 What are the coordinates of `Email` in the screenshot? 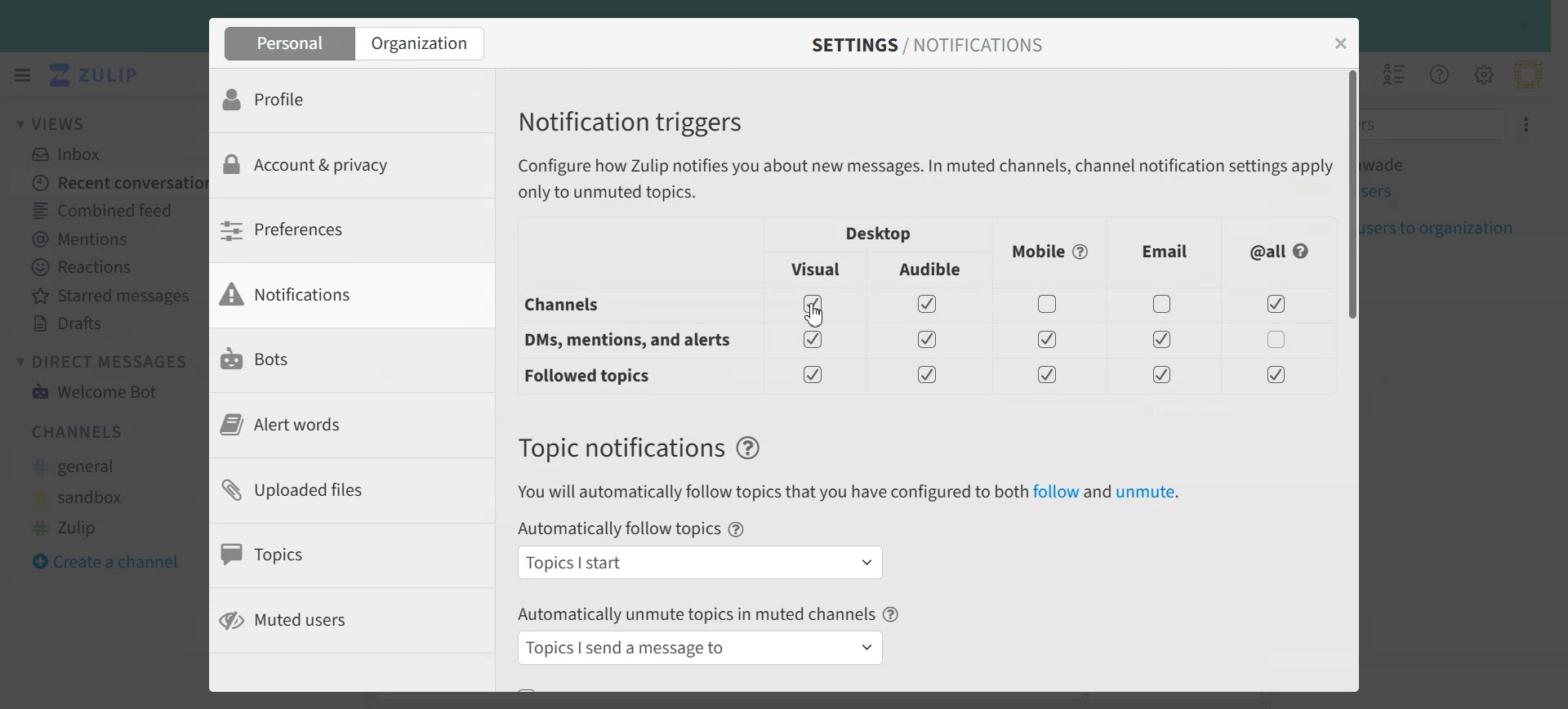 It's located at (1165, 252).